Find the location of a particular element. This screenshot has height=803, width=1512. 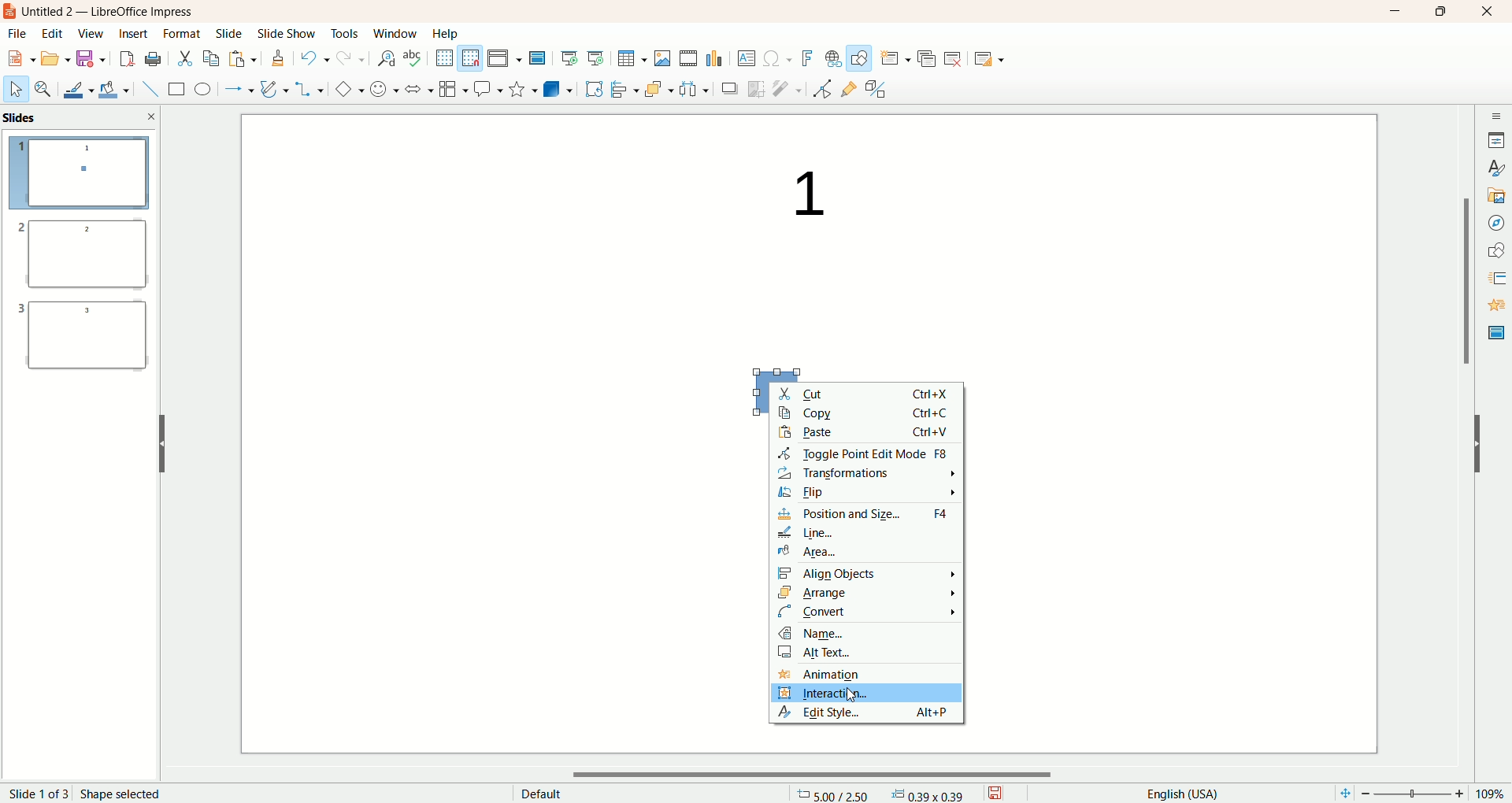

cursor is located at coordinates (857, 701).